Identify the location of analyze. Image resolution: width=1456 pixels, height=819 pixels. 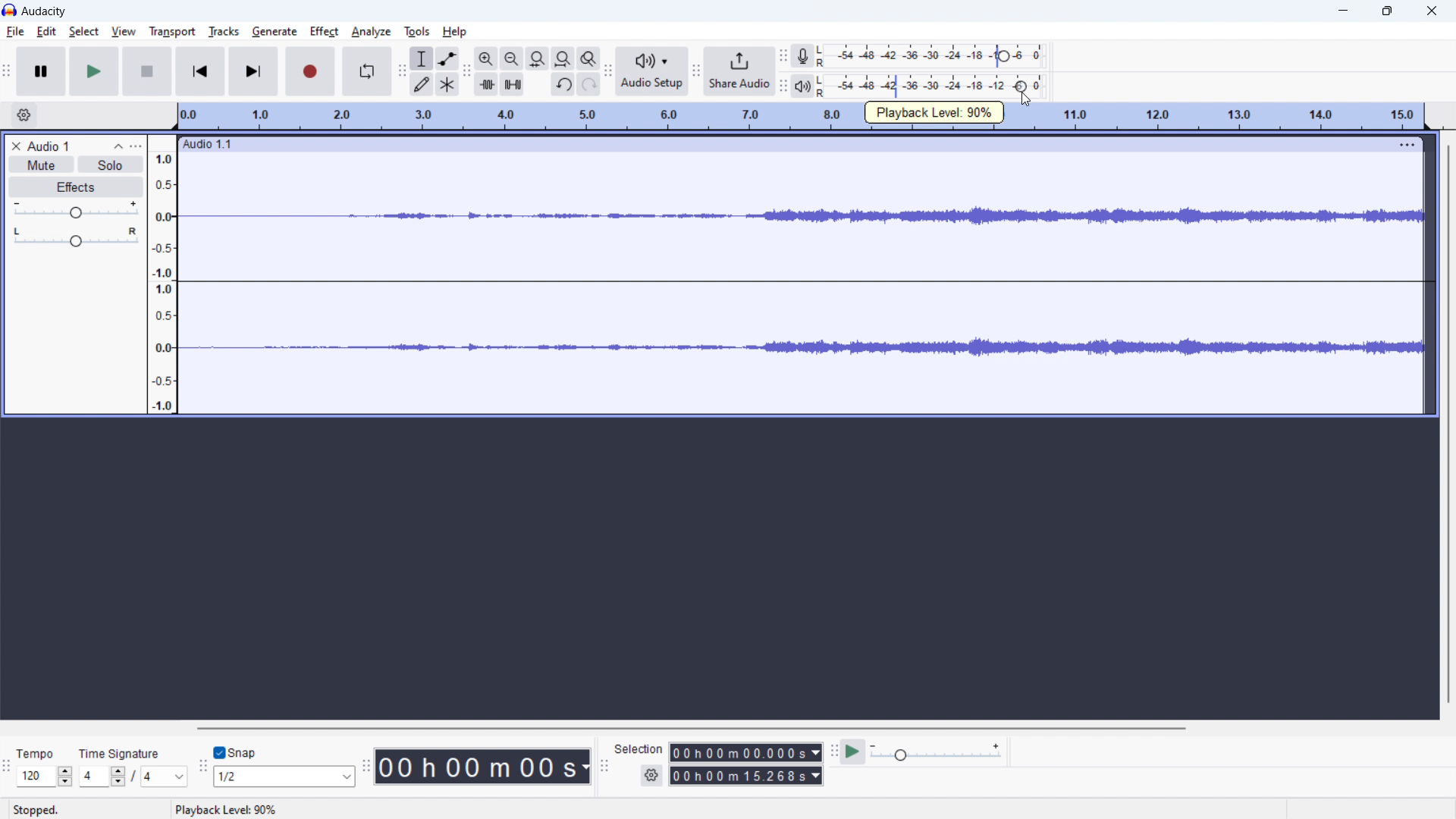
(371, 31).